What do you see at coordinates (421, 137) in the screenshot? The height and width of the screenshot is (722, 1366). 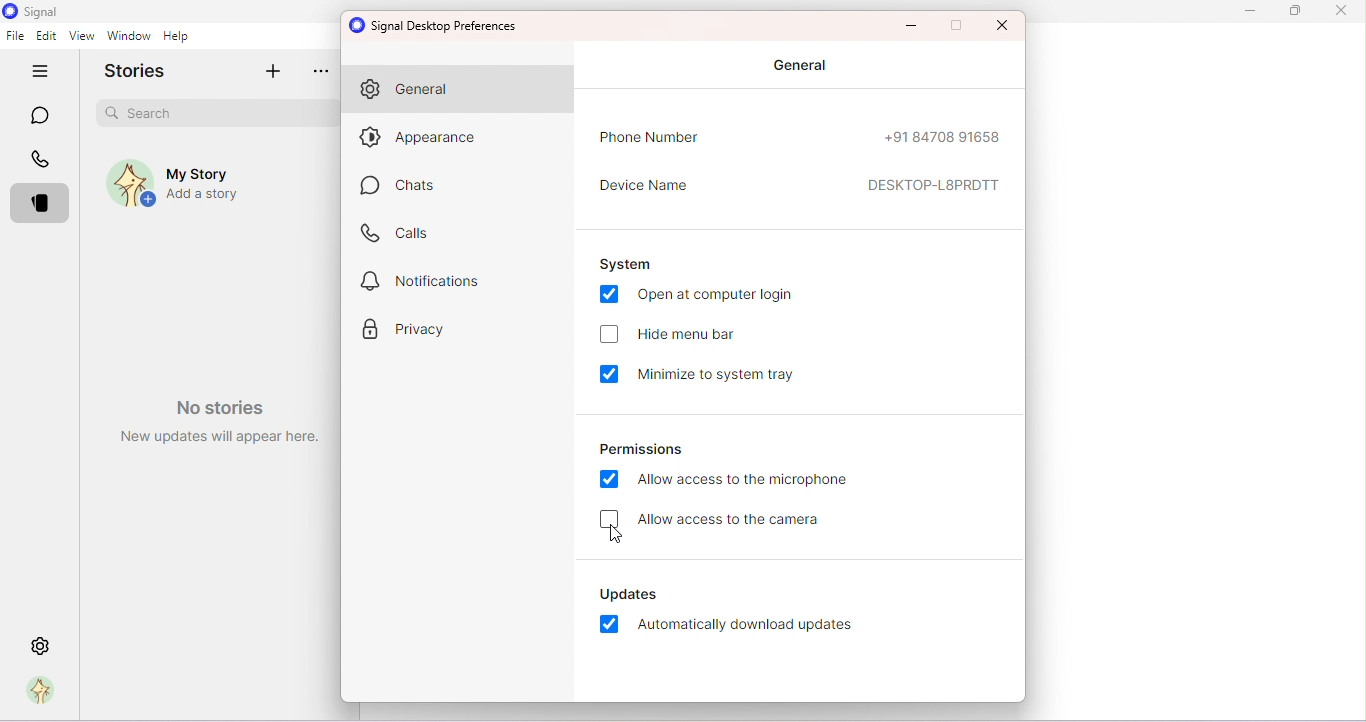 I see `Appearance` at bounding box center [421, 137].